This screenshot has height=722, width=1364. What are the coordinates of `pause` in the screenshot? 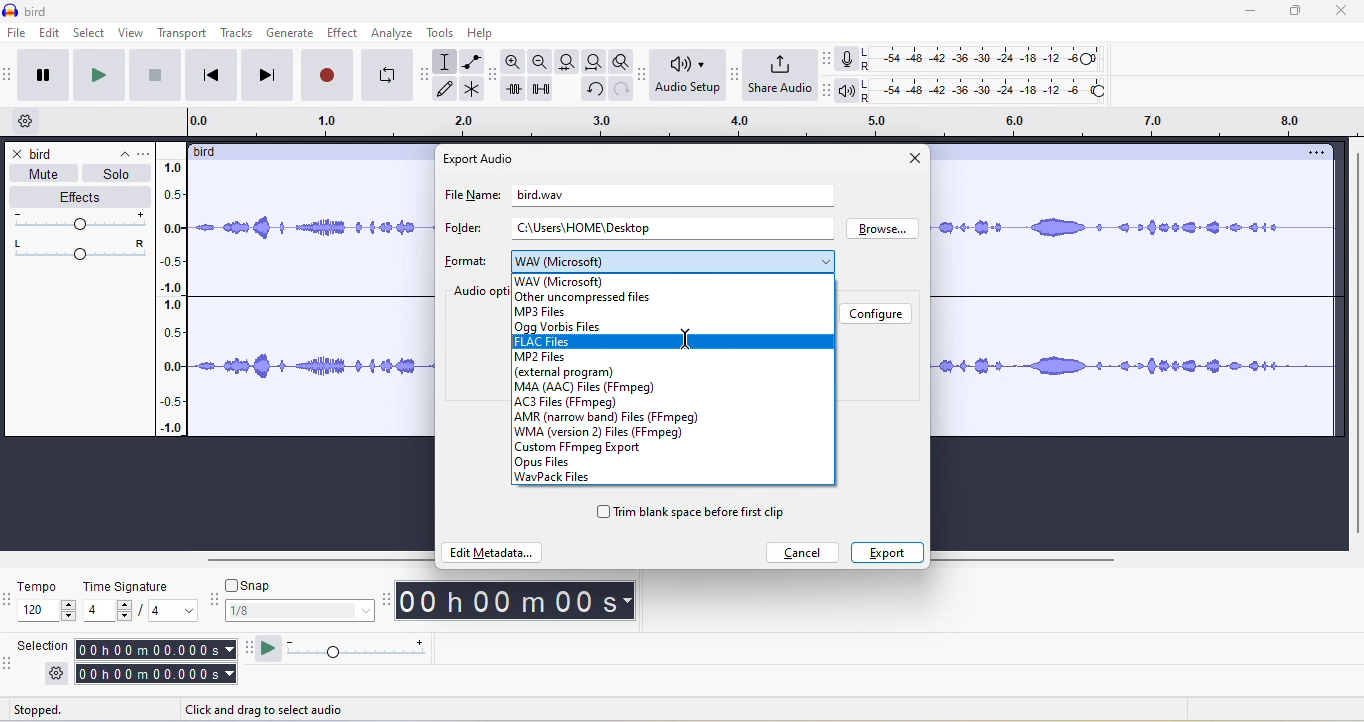 It's located at (48, 76).